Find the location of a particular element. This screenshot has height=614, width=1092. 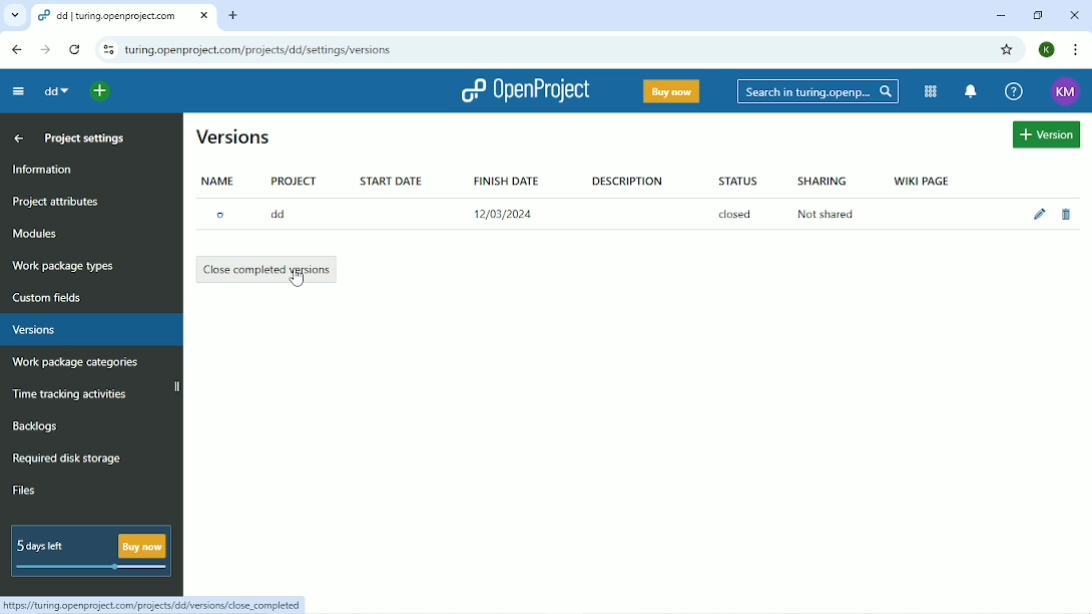

new tab is located at coordinates (236, 15).